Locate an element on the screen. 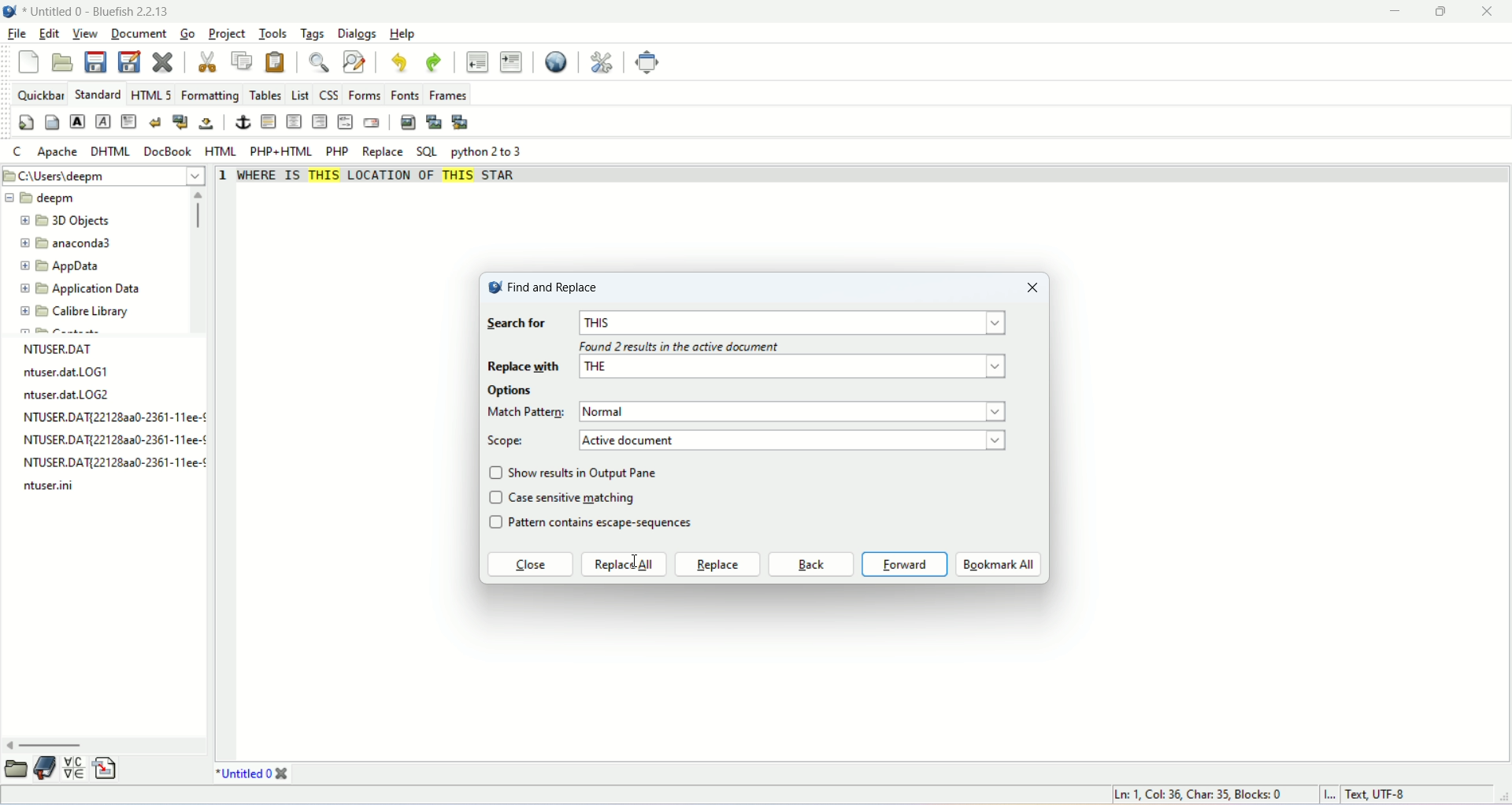 This screenshot has width=1512, height=805. email is located at coordinates (372, 122).